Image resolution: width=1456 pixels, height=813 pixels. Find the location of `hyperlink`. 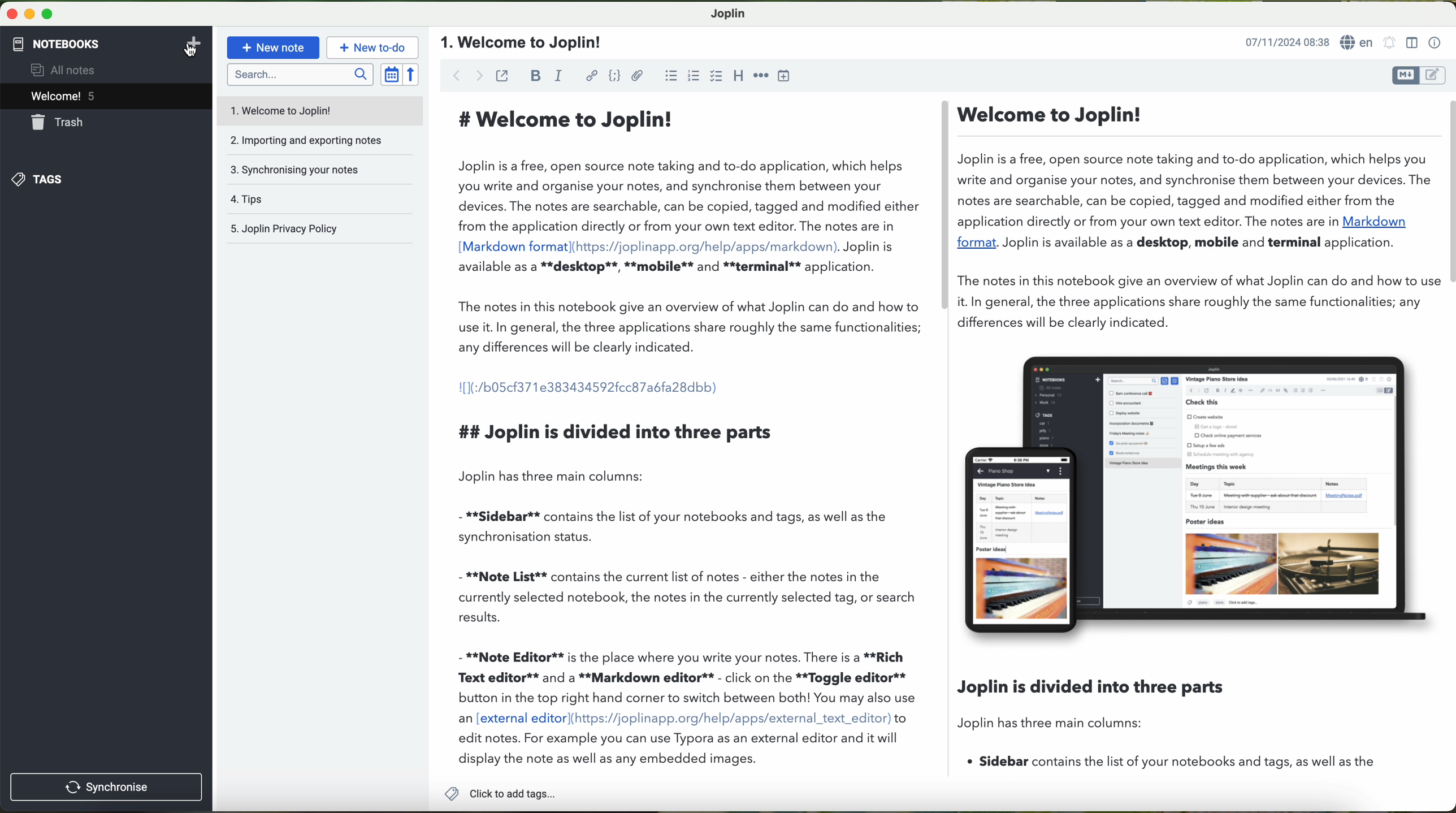

hyperlink is located at coordinates (588, 75).